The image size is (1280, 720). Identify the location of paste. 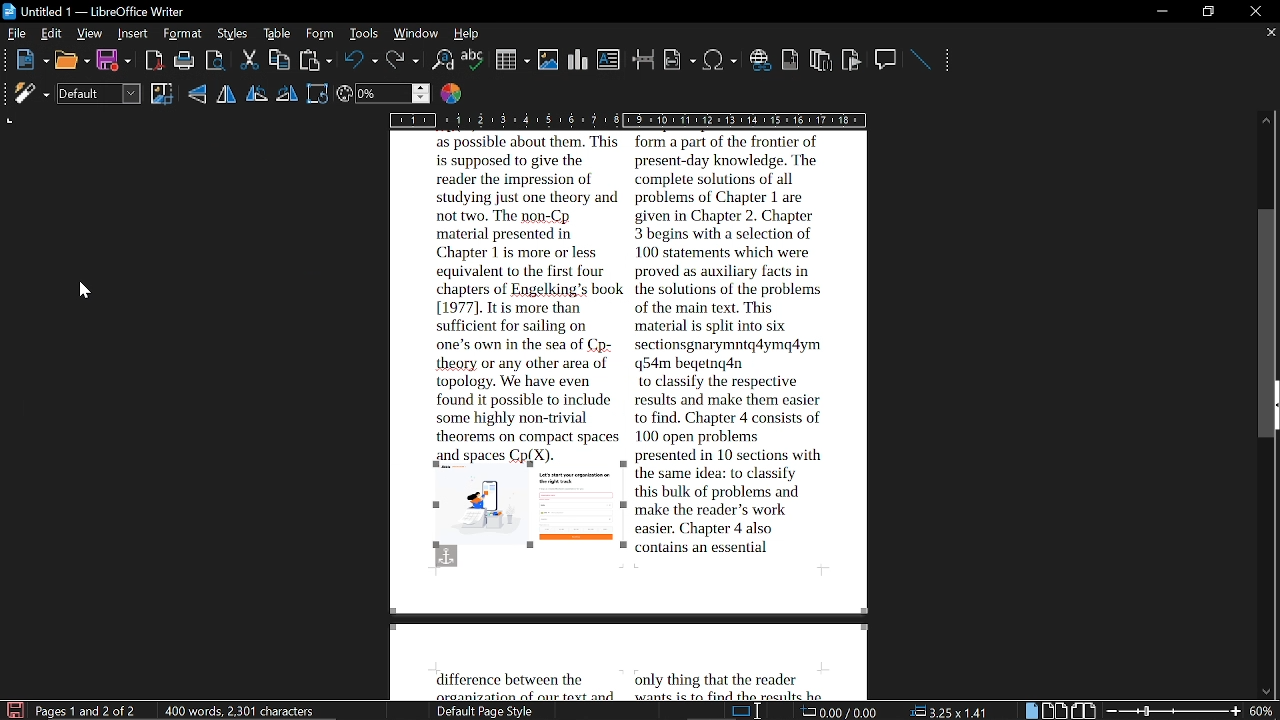
(314, 61).